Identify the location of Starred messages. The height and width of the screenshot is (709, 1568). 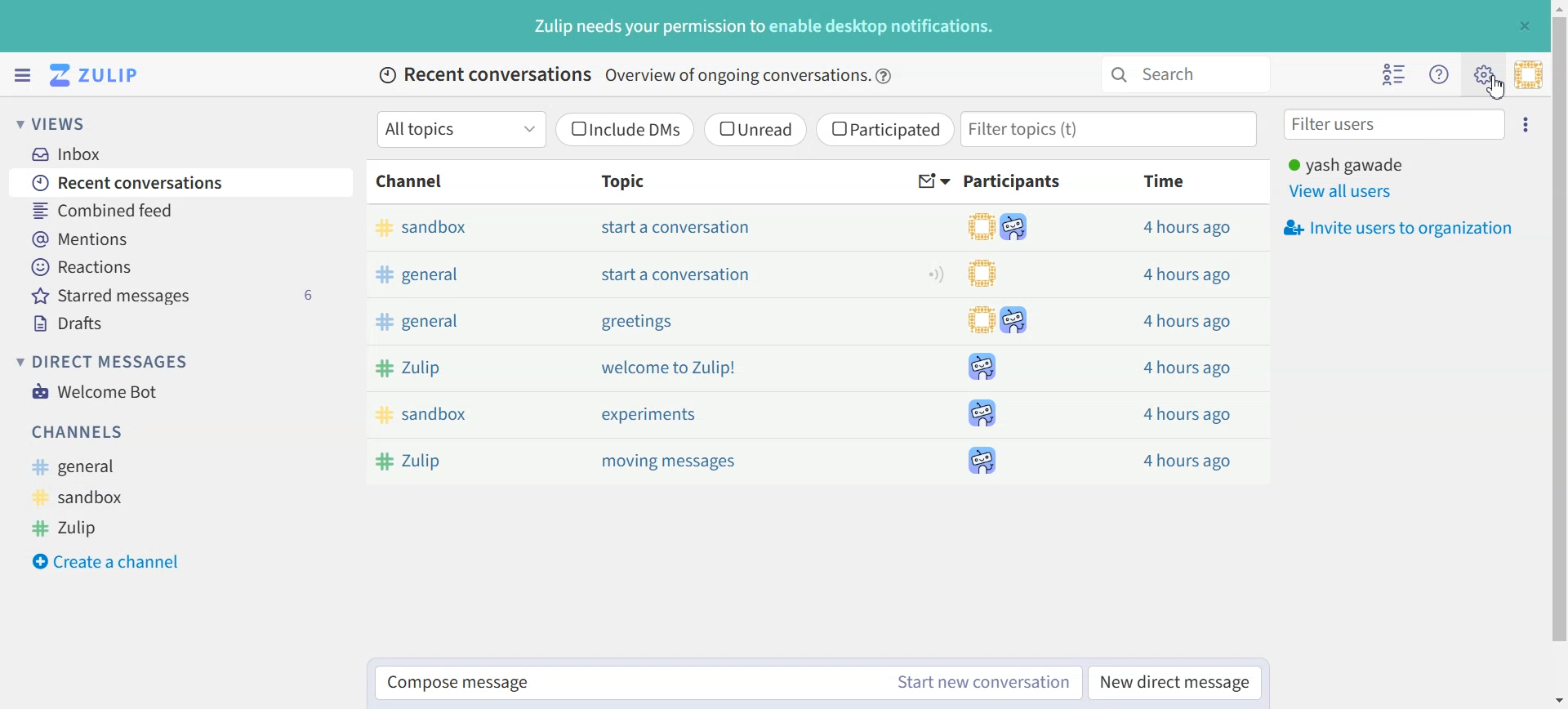
(184, 295).